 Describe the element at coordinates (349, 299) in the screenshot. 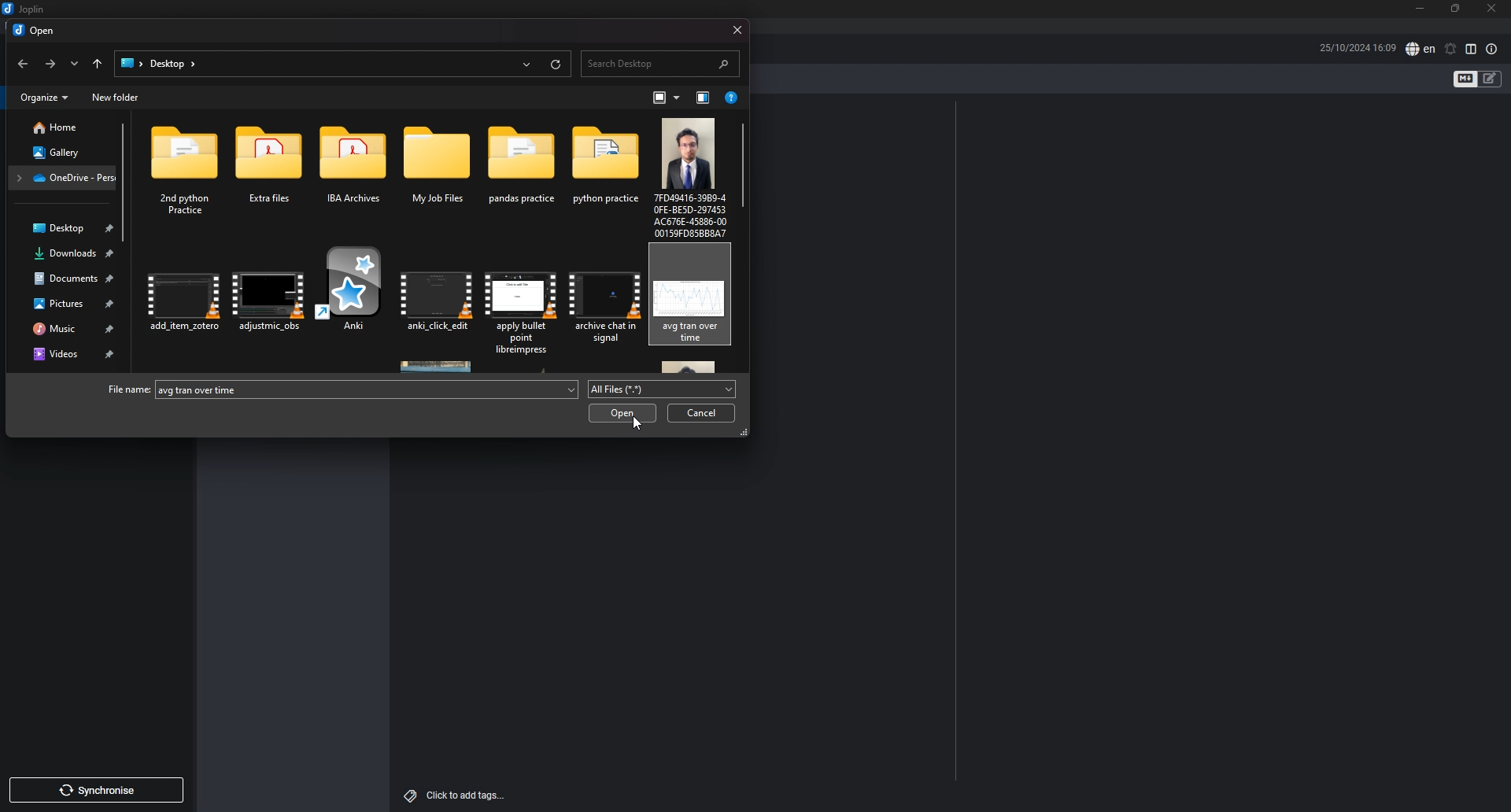

I see `Anki` at that location.